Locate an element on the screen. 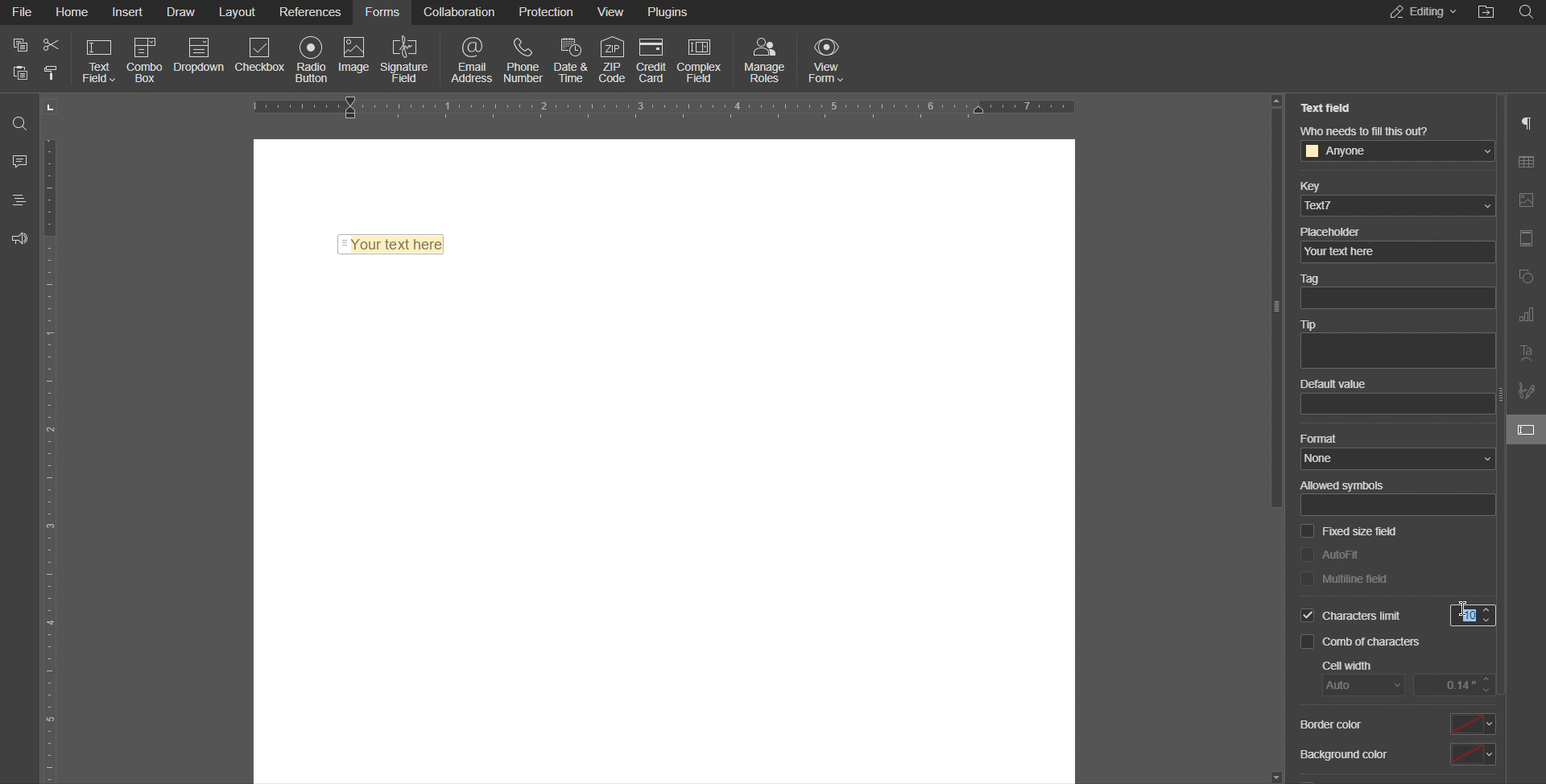 This screenshot has height=784, width=1546. field settings is located at coordinates (1527, 429).